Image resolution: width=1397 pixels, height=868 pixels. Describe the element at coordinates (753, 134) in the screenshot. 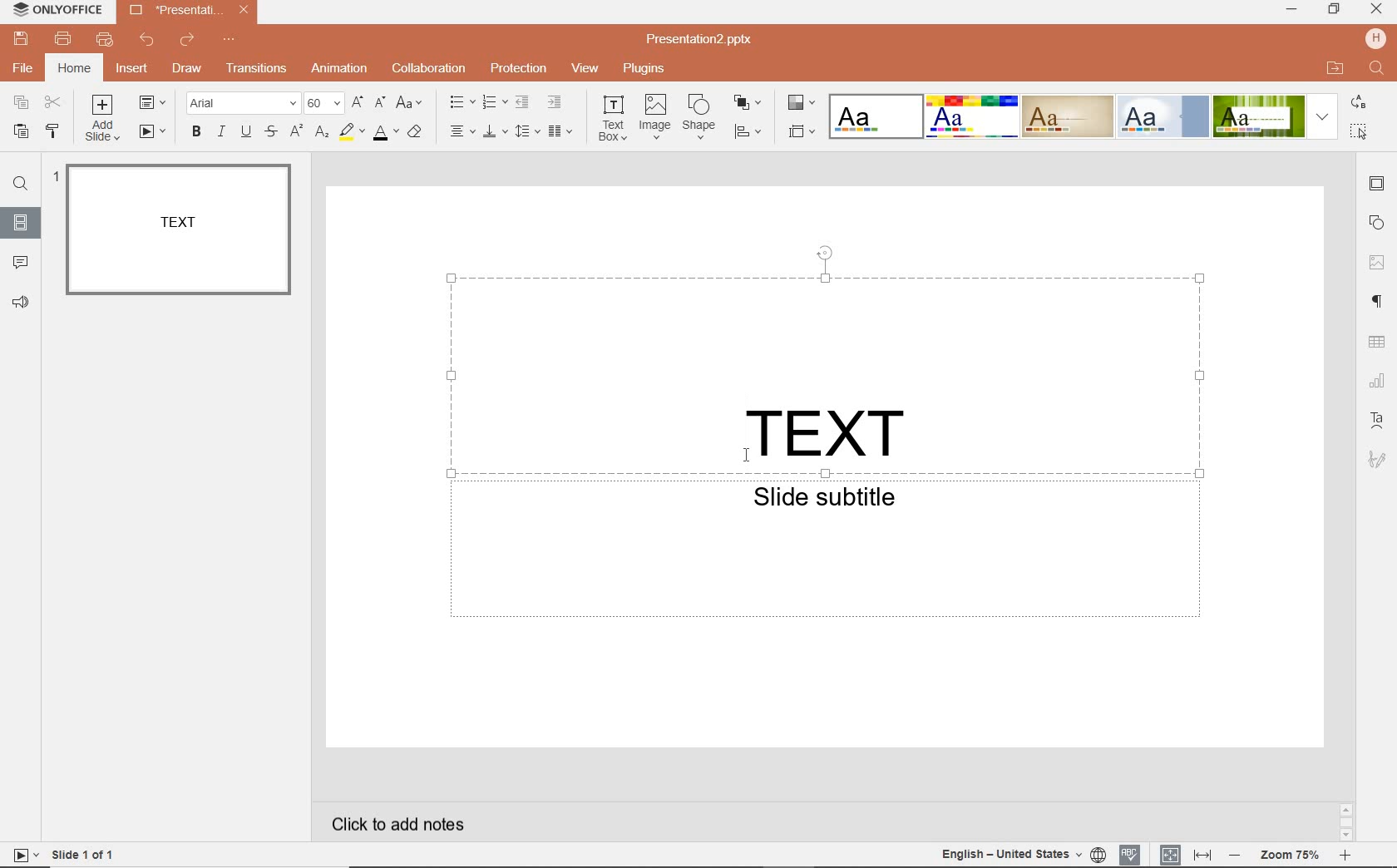

I see `ALIGN SHAPE` at that location.